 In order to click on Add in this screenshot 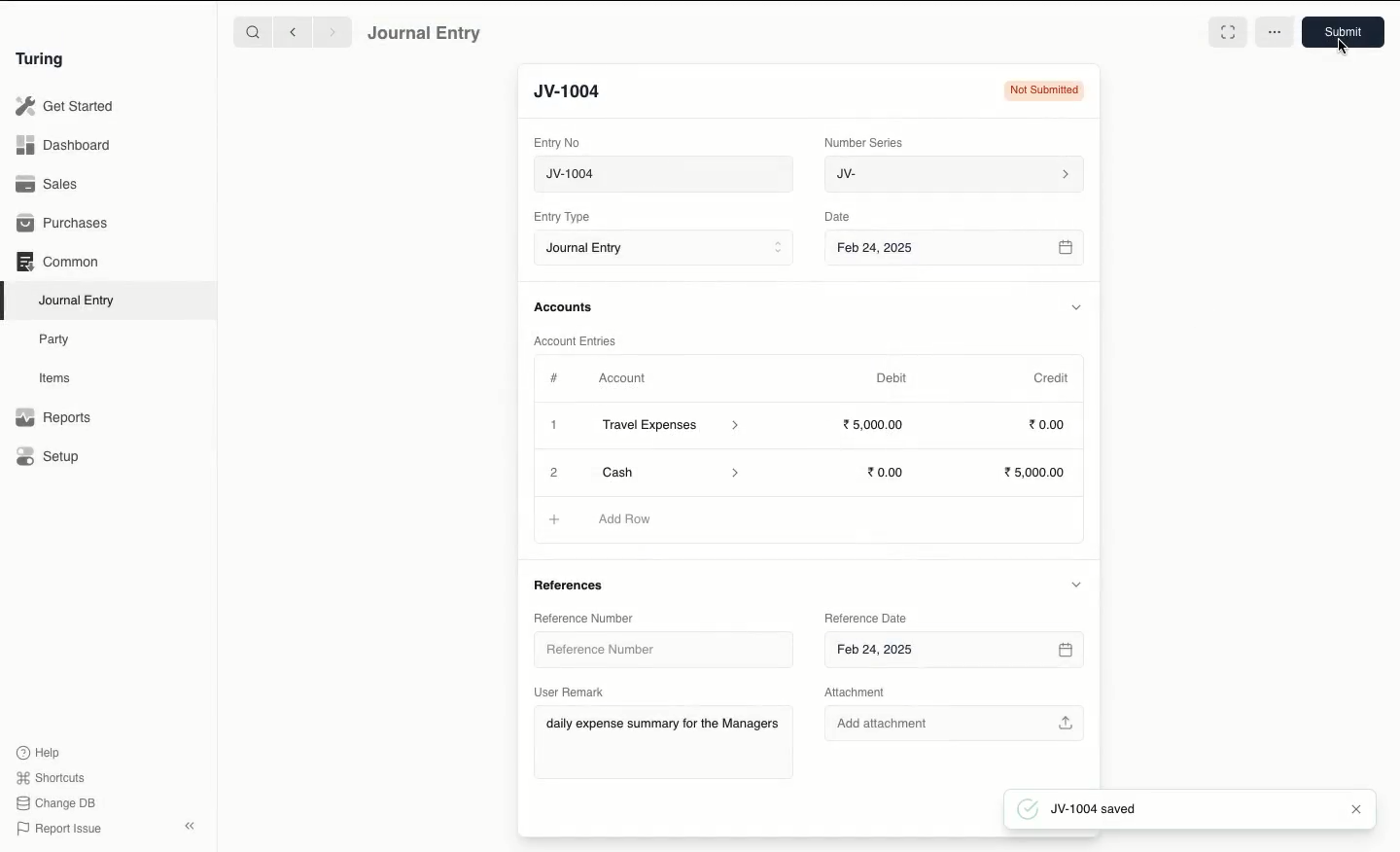, I will do `click(553, 470)`.